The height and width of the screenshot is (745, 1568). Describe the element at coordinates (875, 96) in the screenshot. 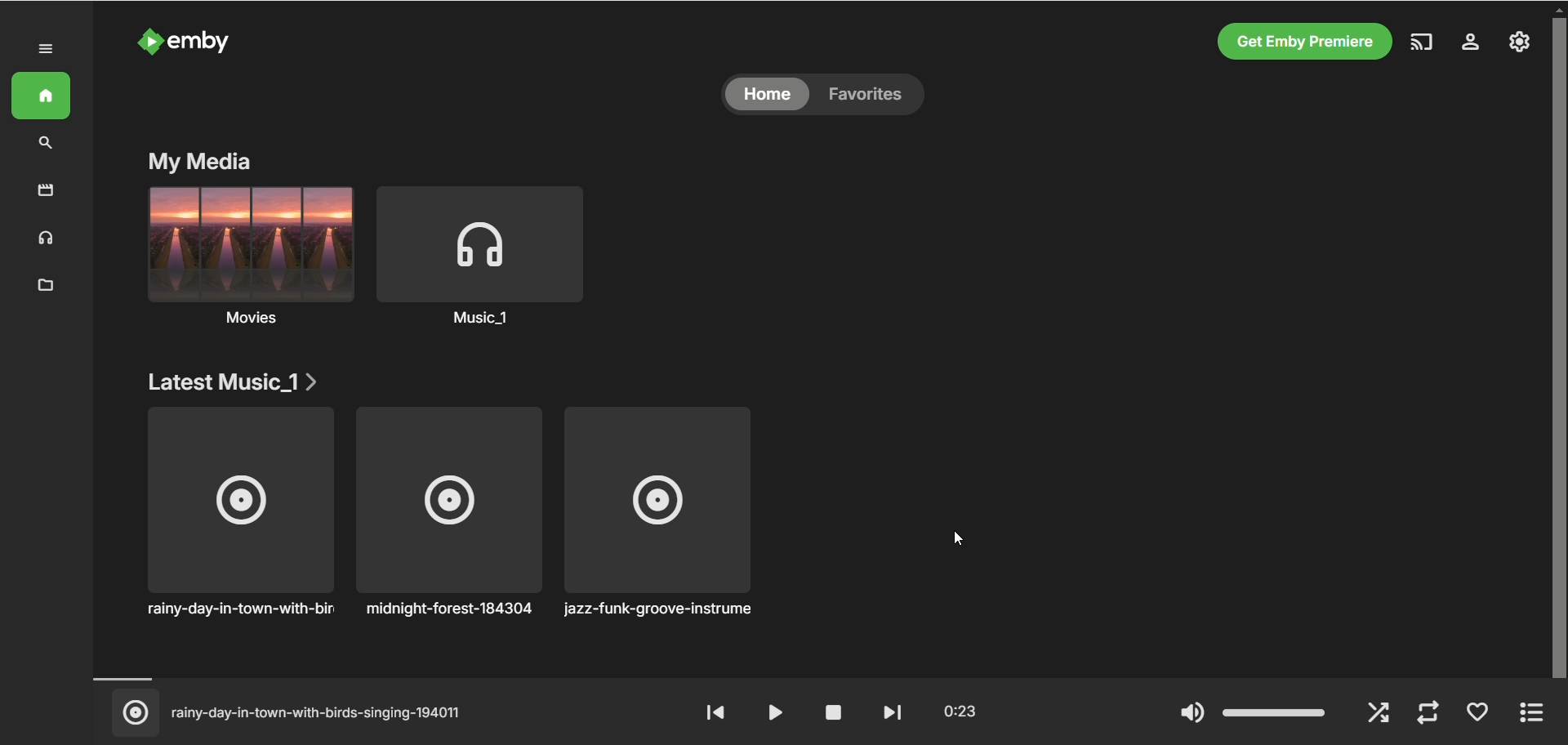

I see `favorites` at that location.